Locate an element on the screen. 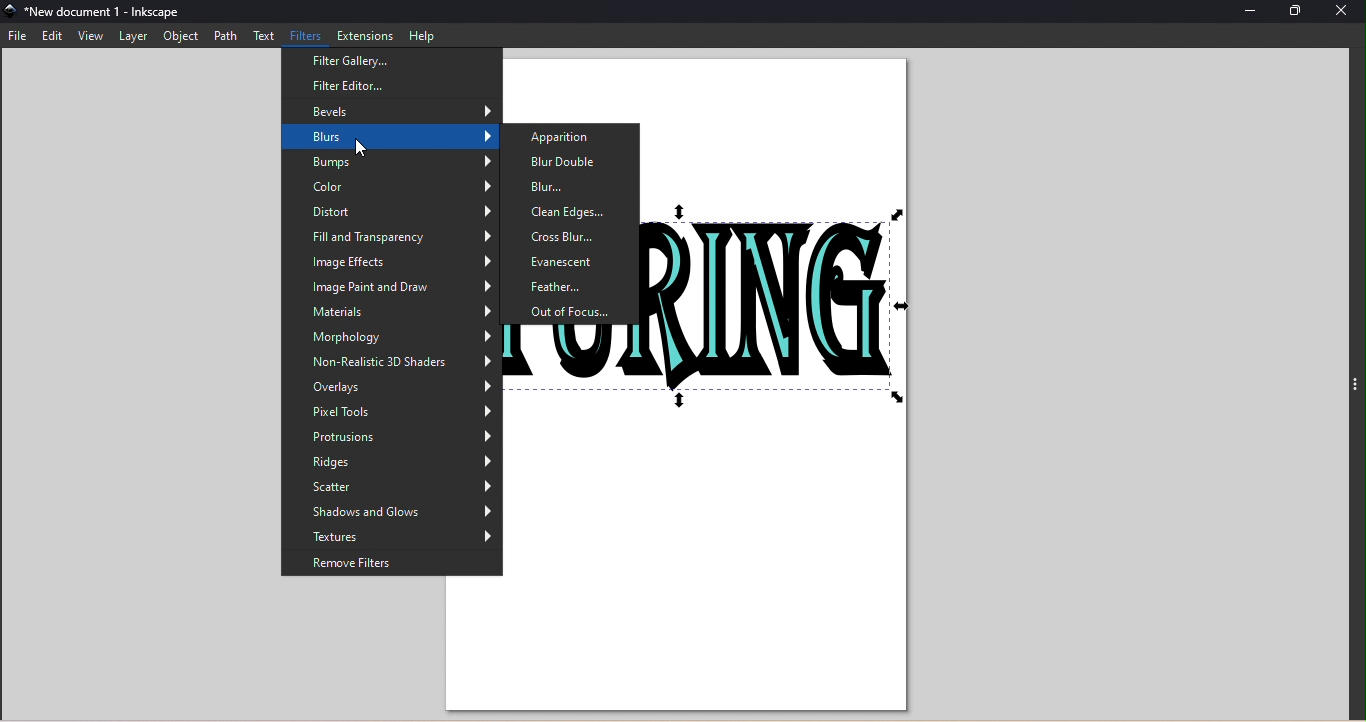 This screenshot has height=722, width=1366. Protrusions is located at coordinates (390, 434).